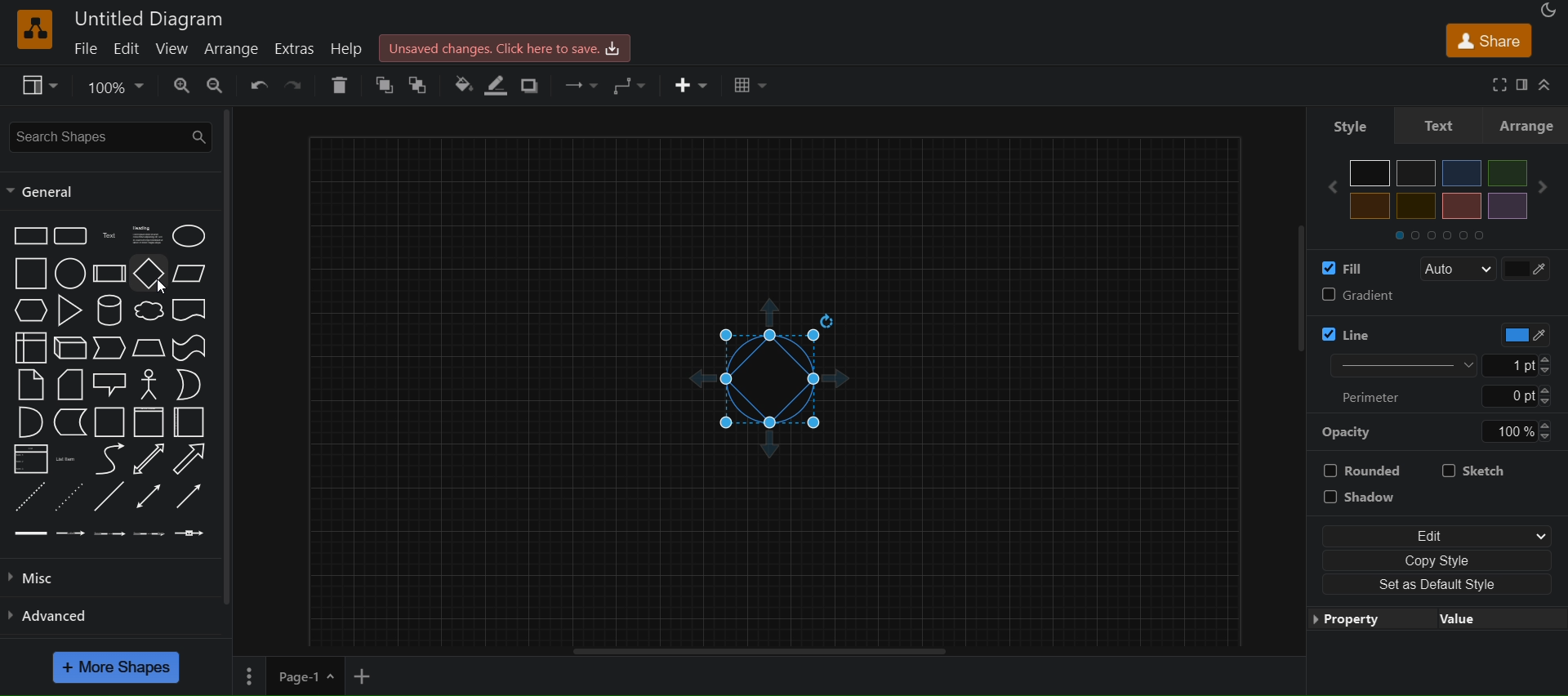 This screenshot has width=1568, height=696. What do you see at coordinates (760, 652) in the screenshot?
I see `horizontal scroll bar` at bounding box center [760, 652].